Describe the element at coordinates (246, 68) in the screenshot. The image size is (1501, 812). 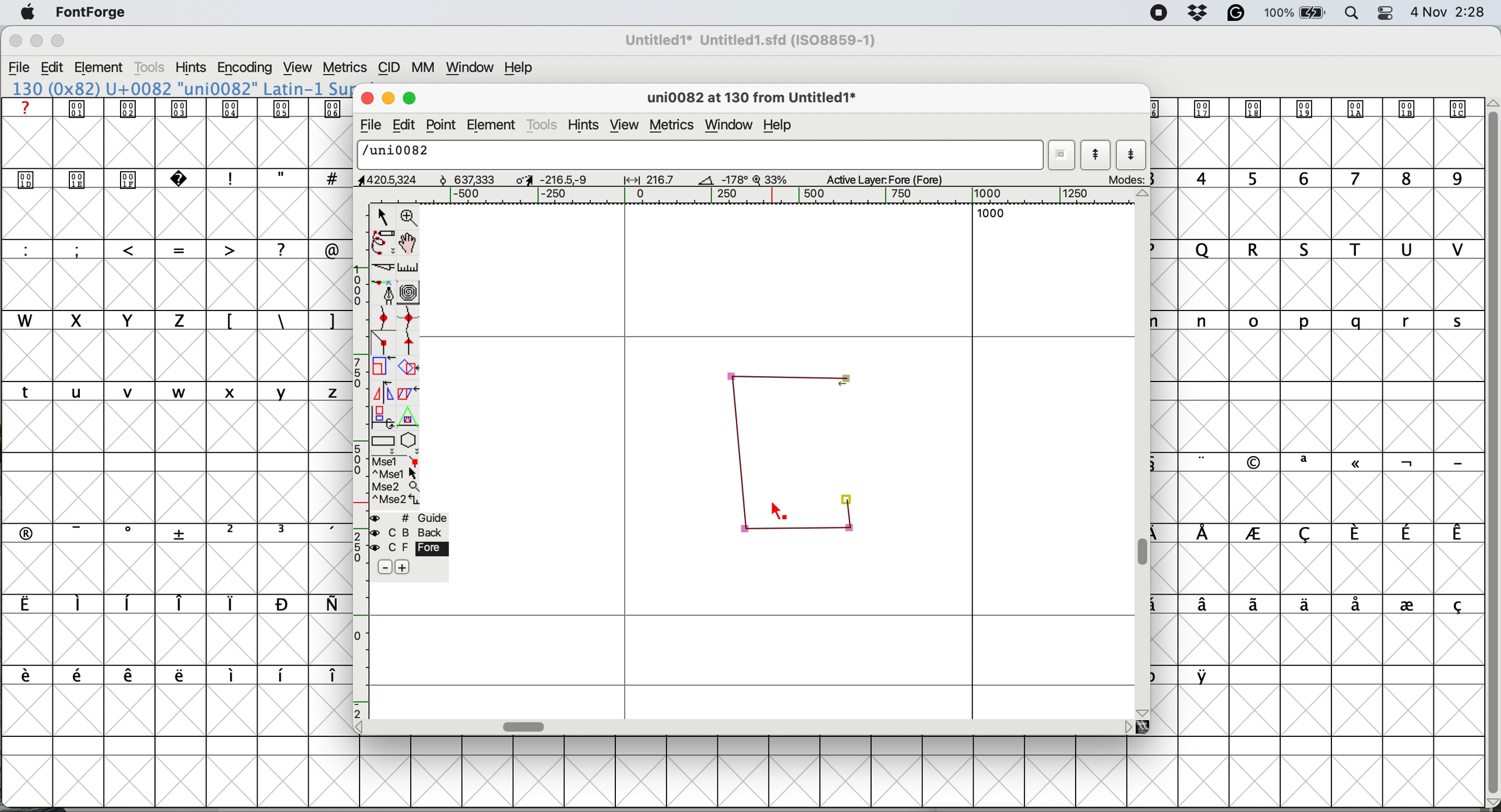
I see `encoding` at that location.